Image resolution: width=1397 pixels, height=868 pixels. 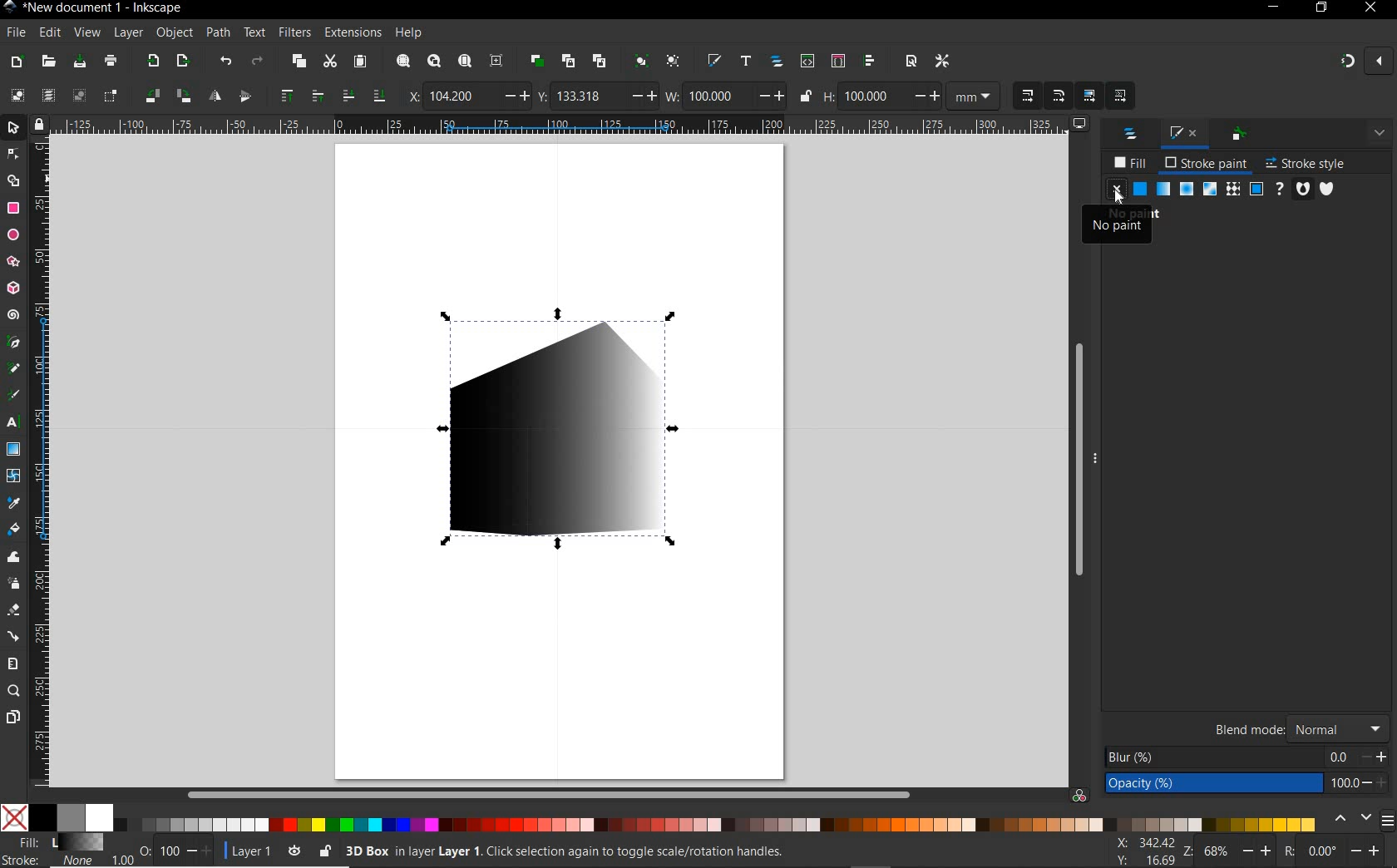 What do you see at coordinates (410, 96) in the screenshot?
I see `HORIZONTAL COORDINATE OF SELECTION` at bounding box center [410, 96].